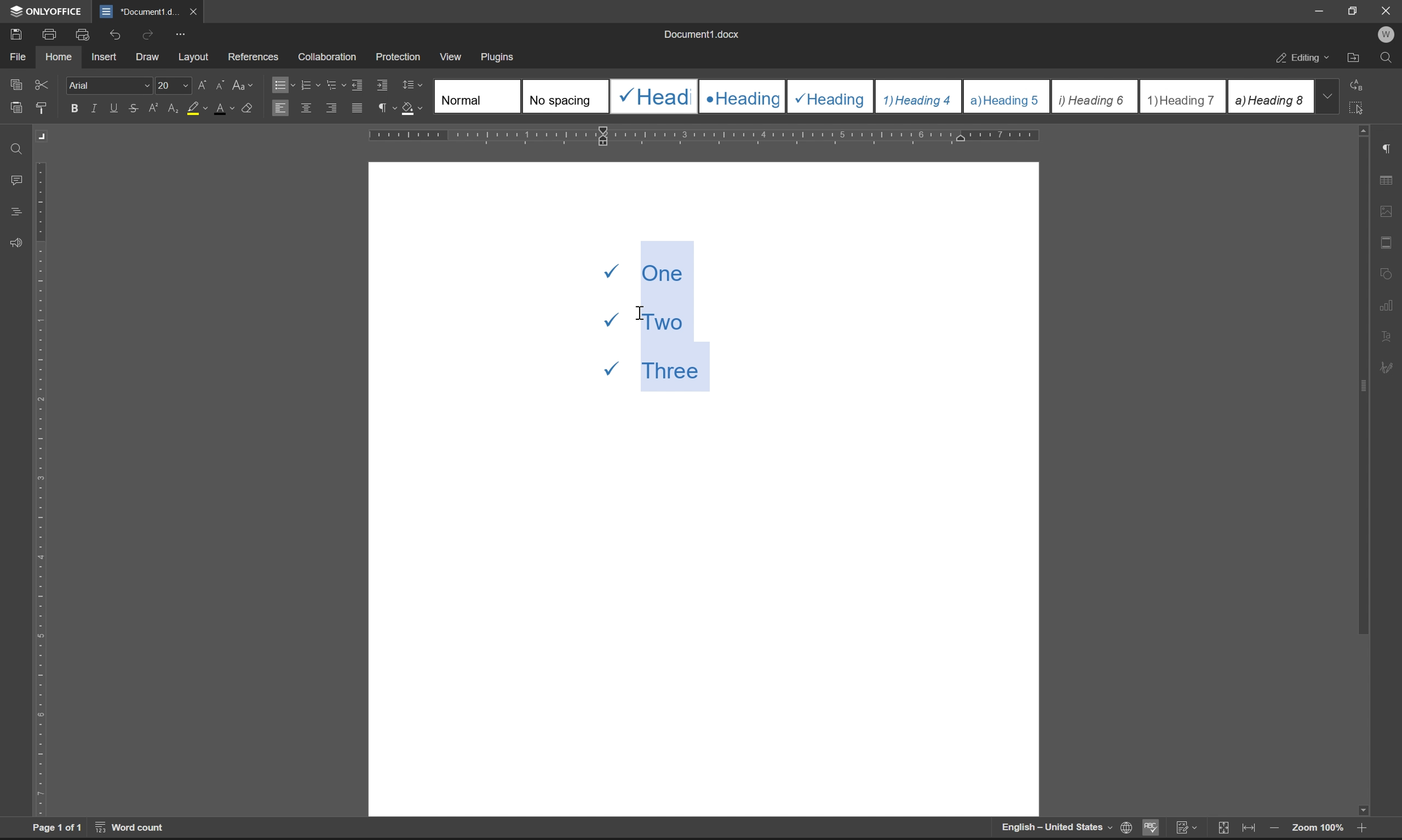 The width and height of the screenshot is (1402, 840). What do you see at coordinates (358, 108) in the screenshot?
I see `justified` at bounding box center [358, 108].